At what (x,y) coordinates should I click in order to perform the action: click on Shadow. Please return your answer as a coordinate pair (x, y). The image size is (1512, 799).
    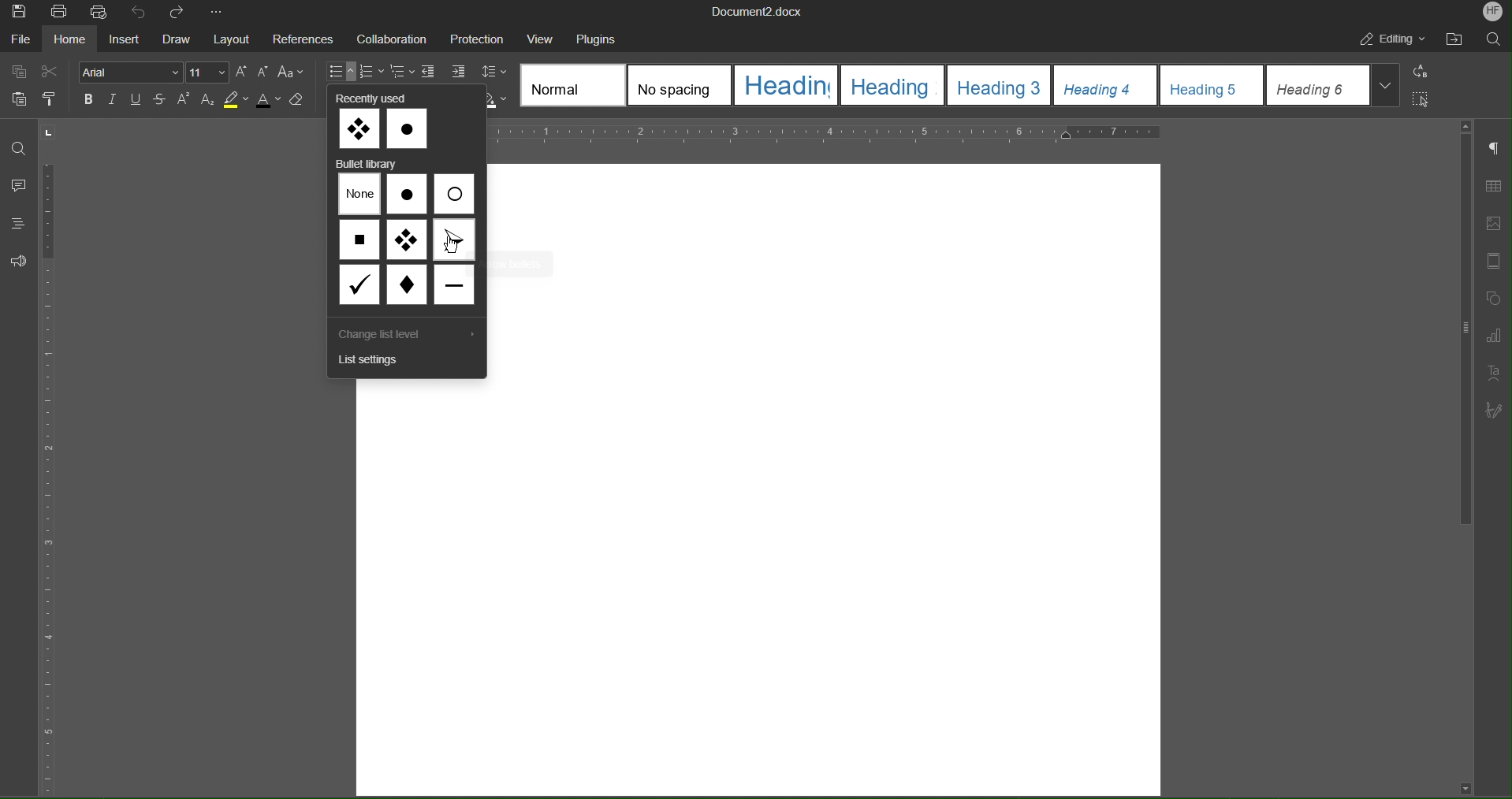
    Looking at the image, I should click on (500, 96).